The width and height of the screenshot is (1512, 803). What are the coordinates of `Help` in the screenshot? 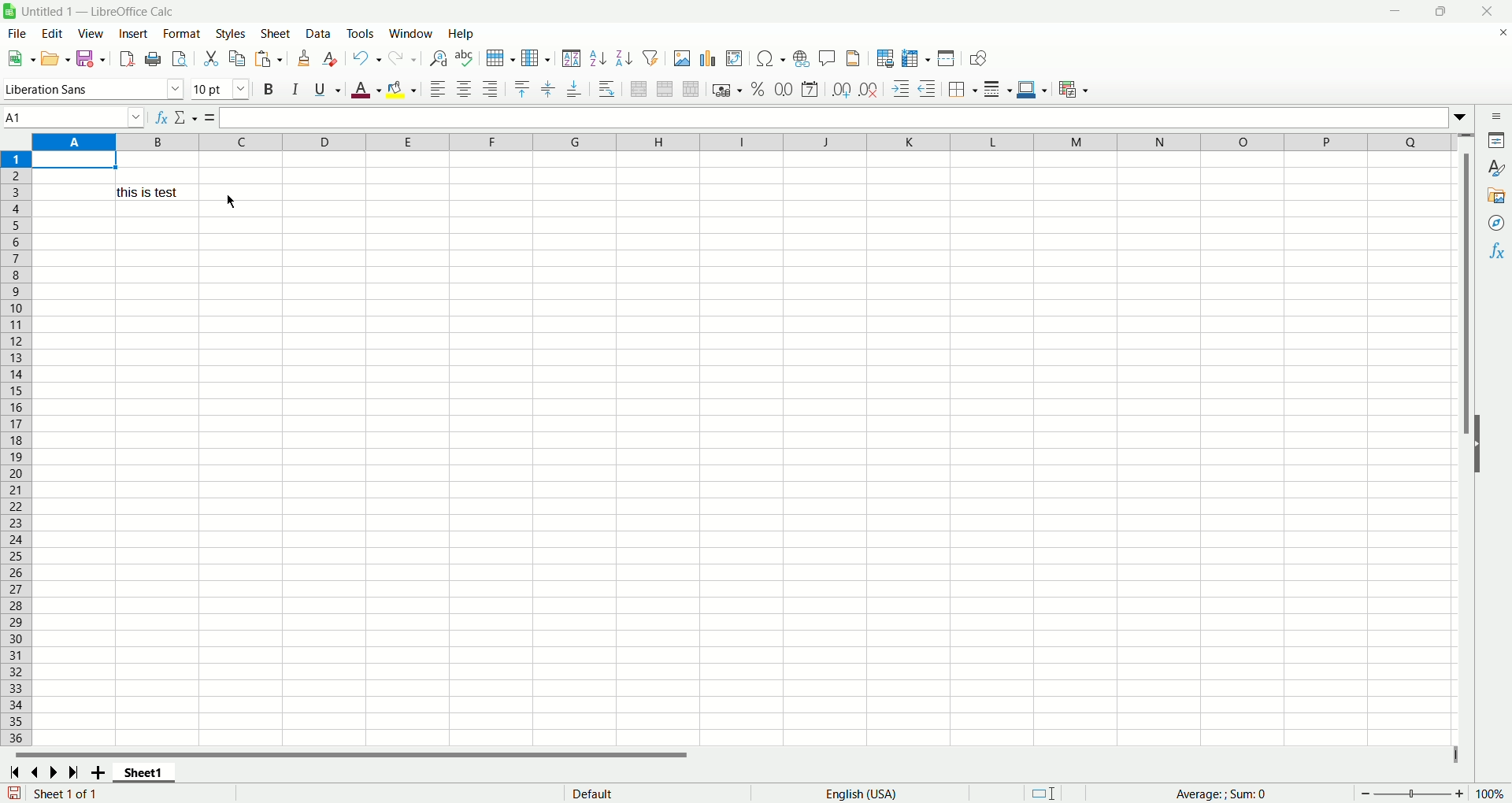 It's located at (462, 35).